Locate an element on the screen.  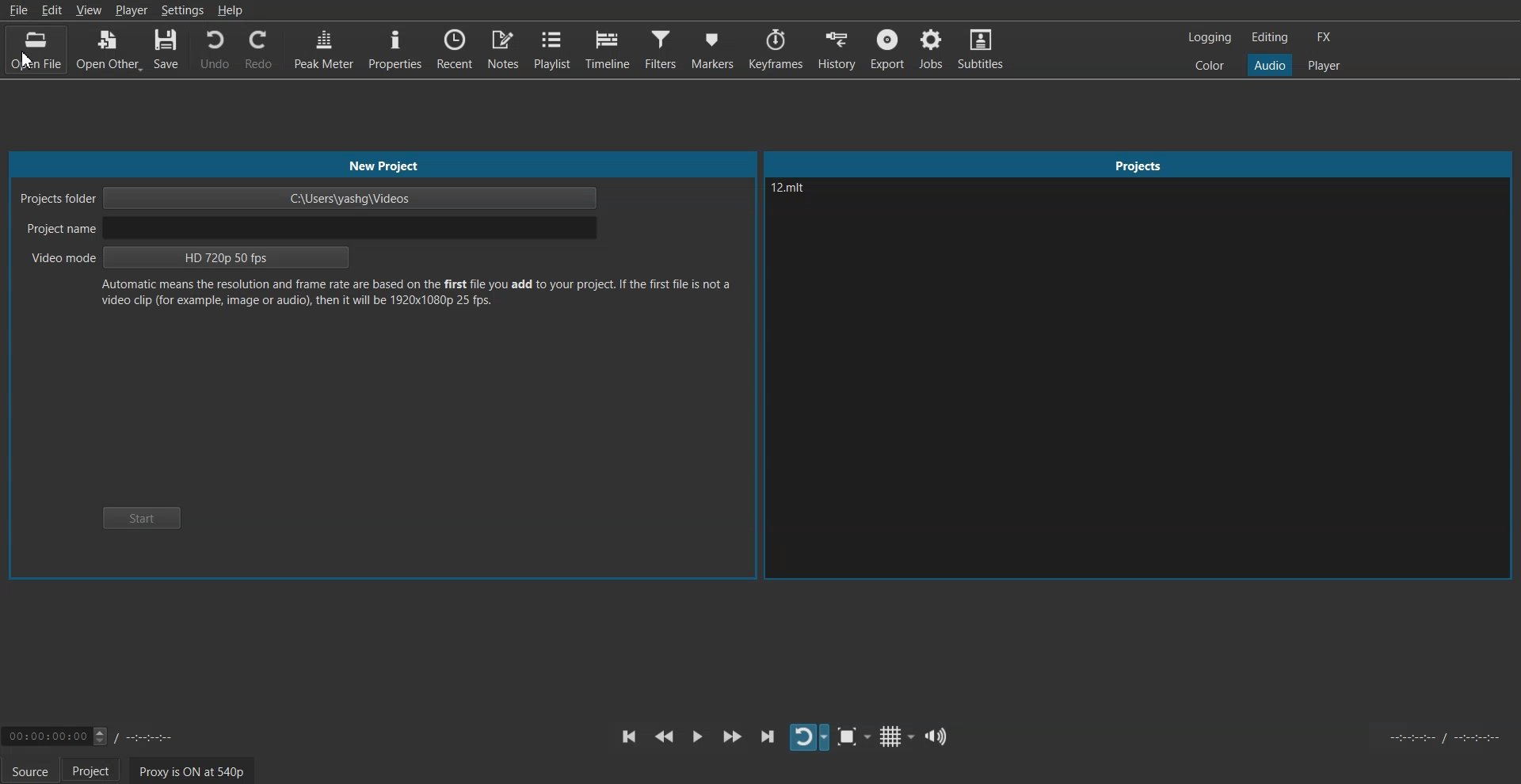
cursor is located at coordinates (29, 62).